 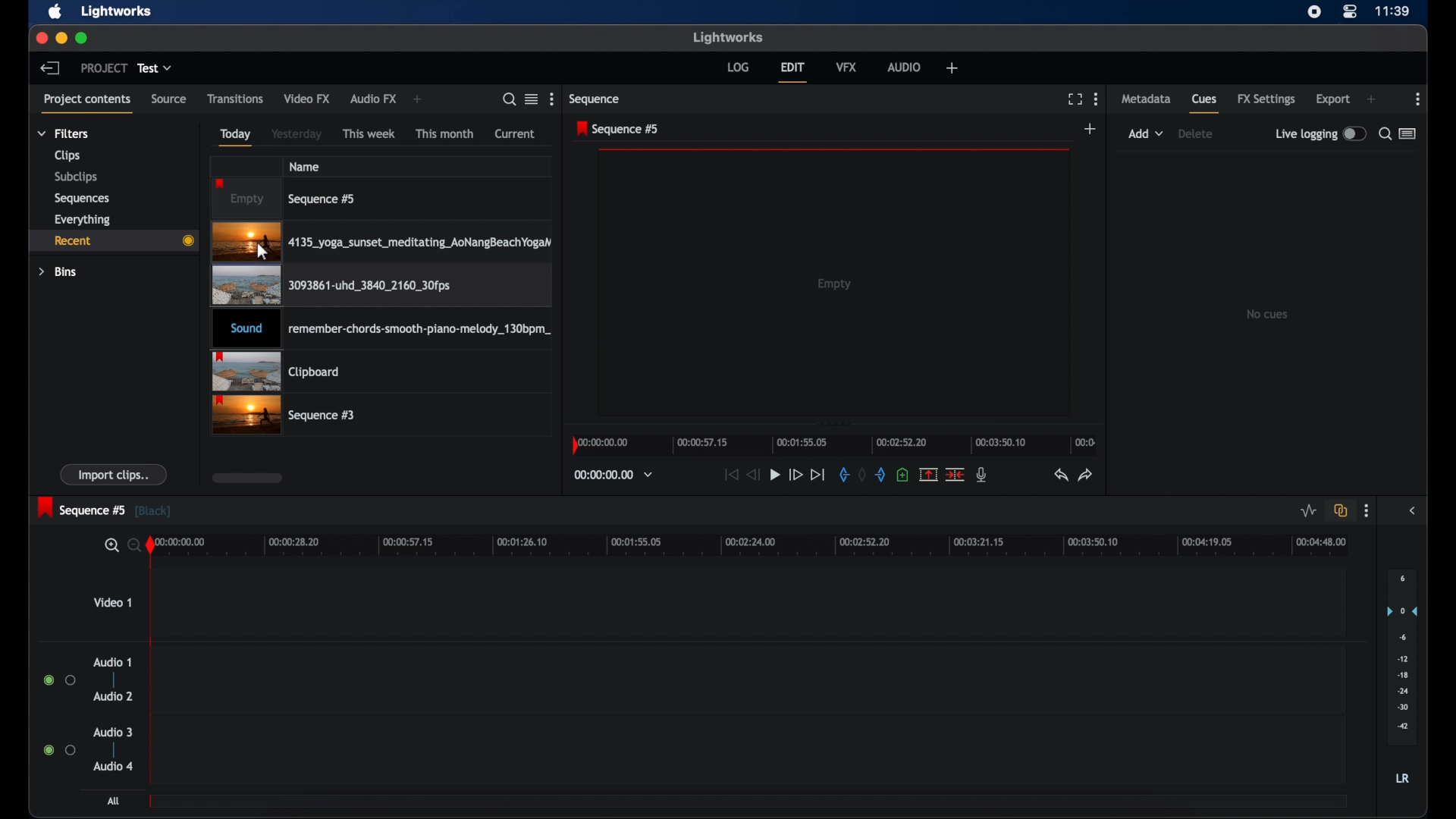 What do you see at coordinates (1307, 511) in the screenshot?
I see `toggle audio levels editing` at bounding box center [1307, 511].